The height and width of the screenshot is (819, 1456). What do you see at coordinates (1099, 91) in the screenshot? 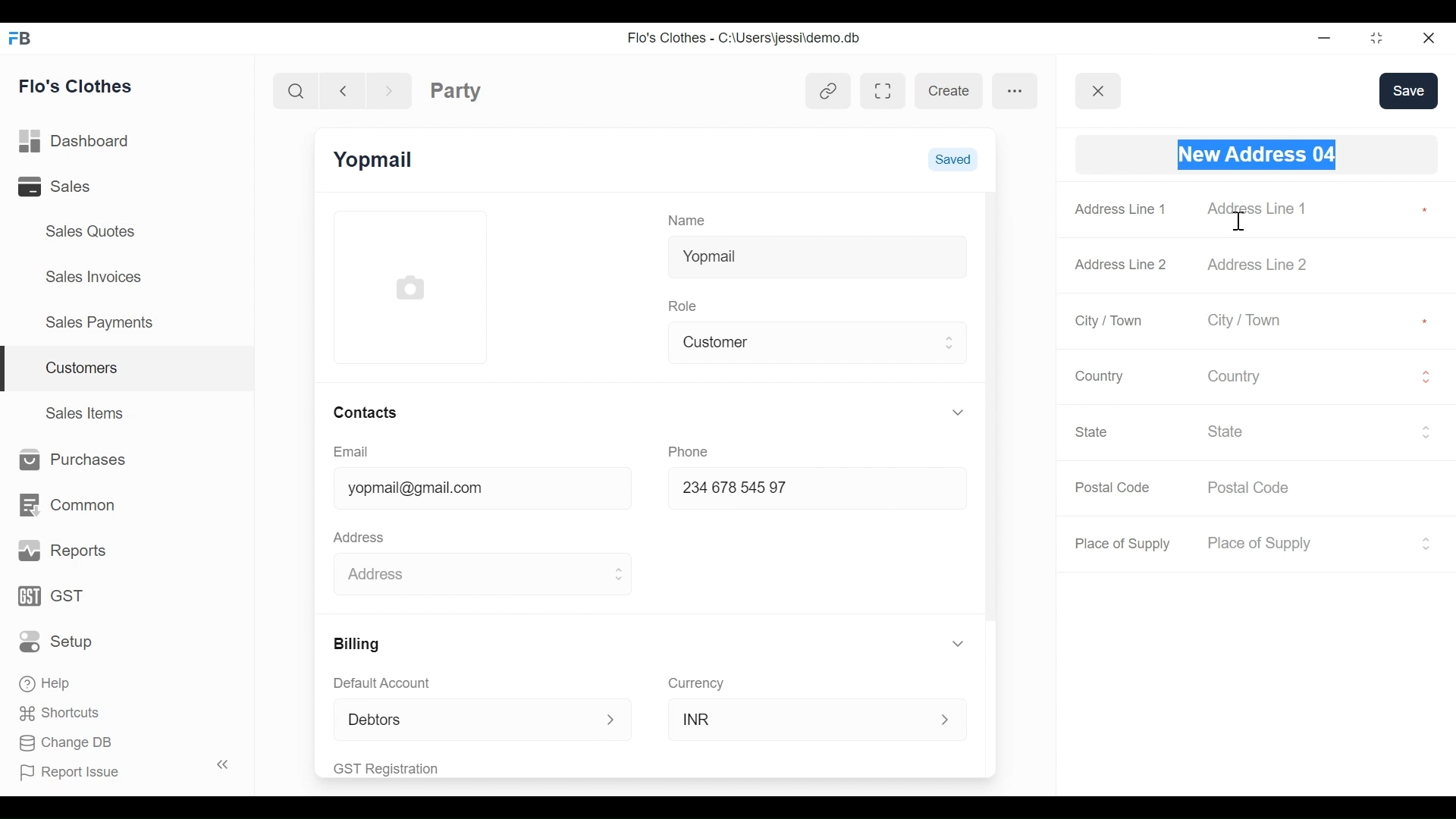
I see `` at bounding box center [1099, 91].